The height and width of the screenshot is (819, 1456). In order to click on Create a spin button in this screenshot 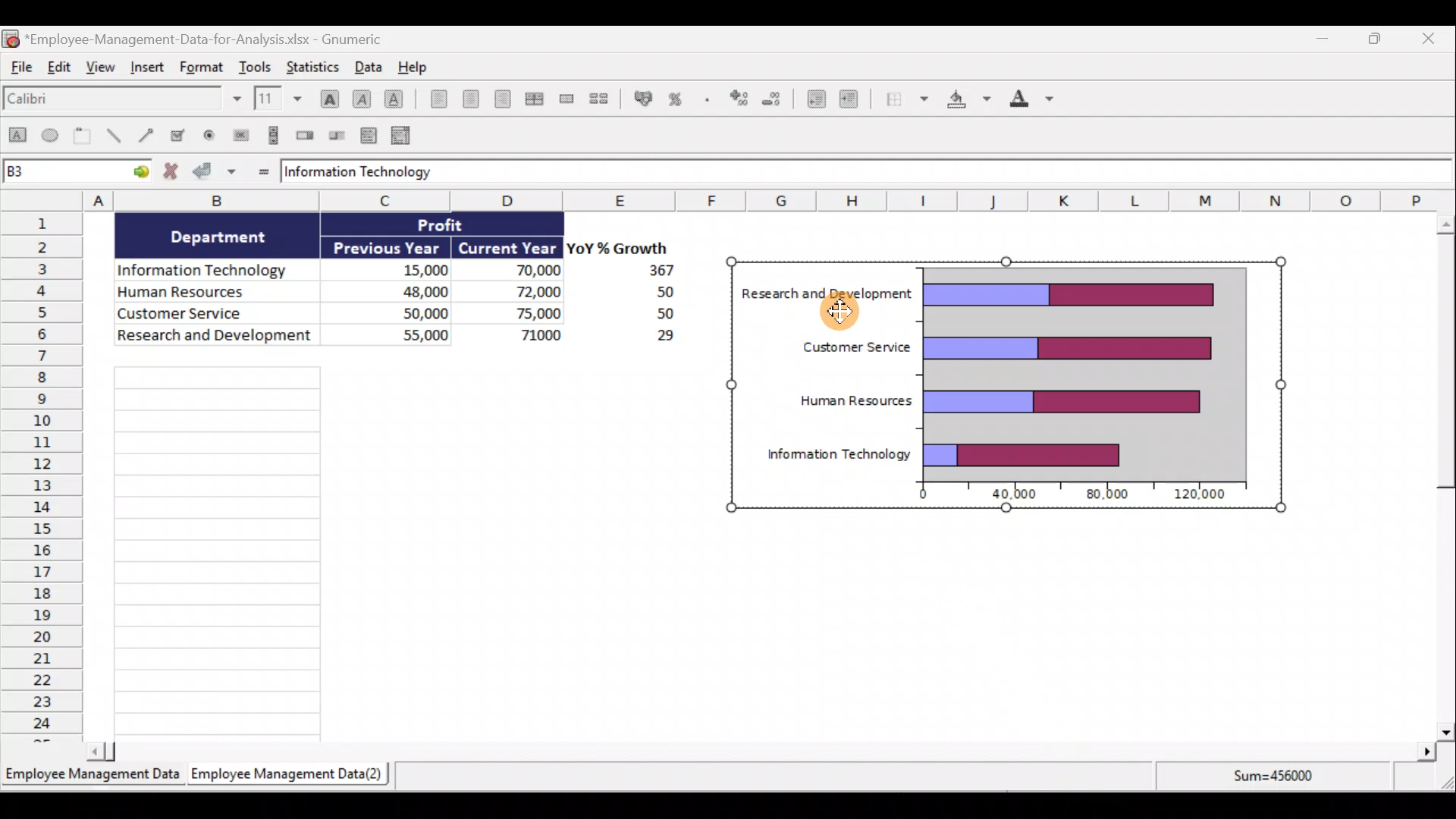, I will do `click(306, 136)`.